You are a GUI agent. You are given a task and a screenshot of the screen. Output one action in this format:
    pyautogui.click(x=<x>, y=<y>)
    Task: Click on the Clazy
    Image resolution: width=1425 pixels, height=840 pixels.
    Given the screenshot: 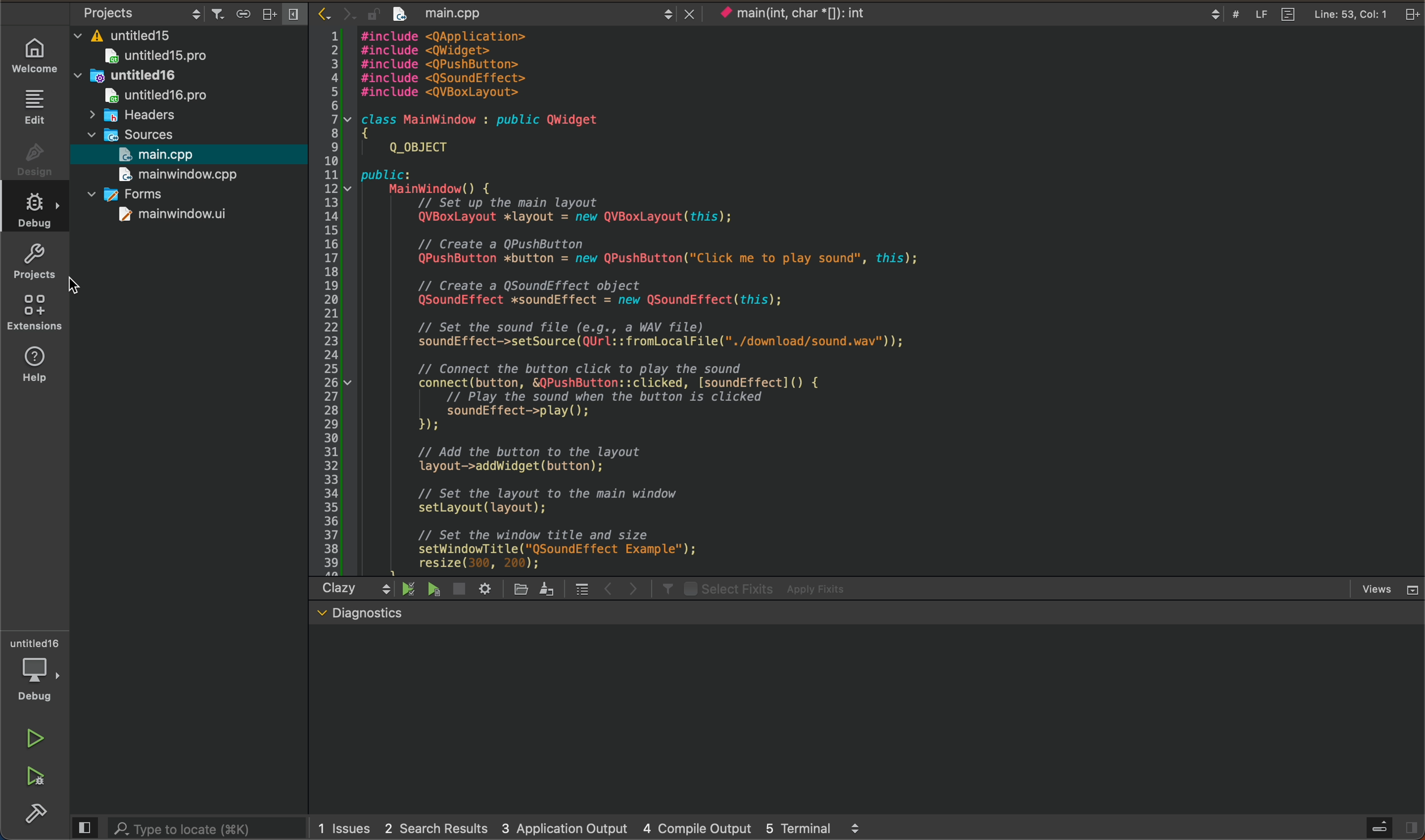 What is the action you would take?
    pyautogui.click(x=344, y=588)
    